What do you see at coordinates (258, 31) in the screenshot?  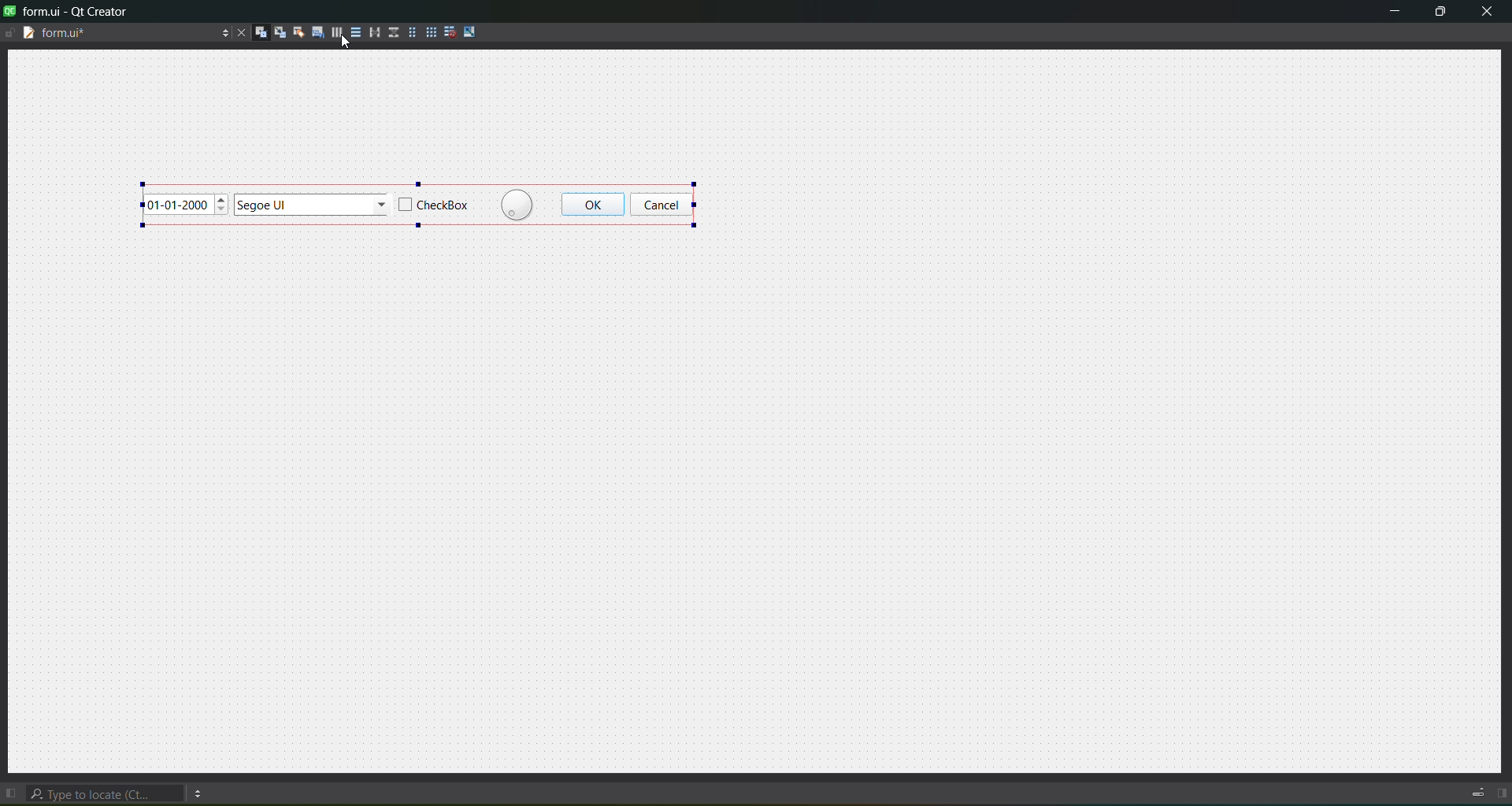 I see `widgets` at bounding box center [258, 31].